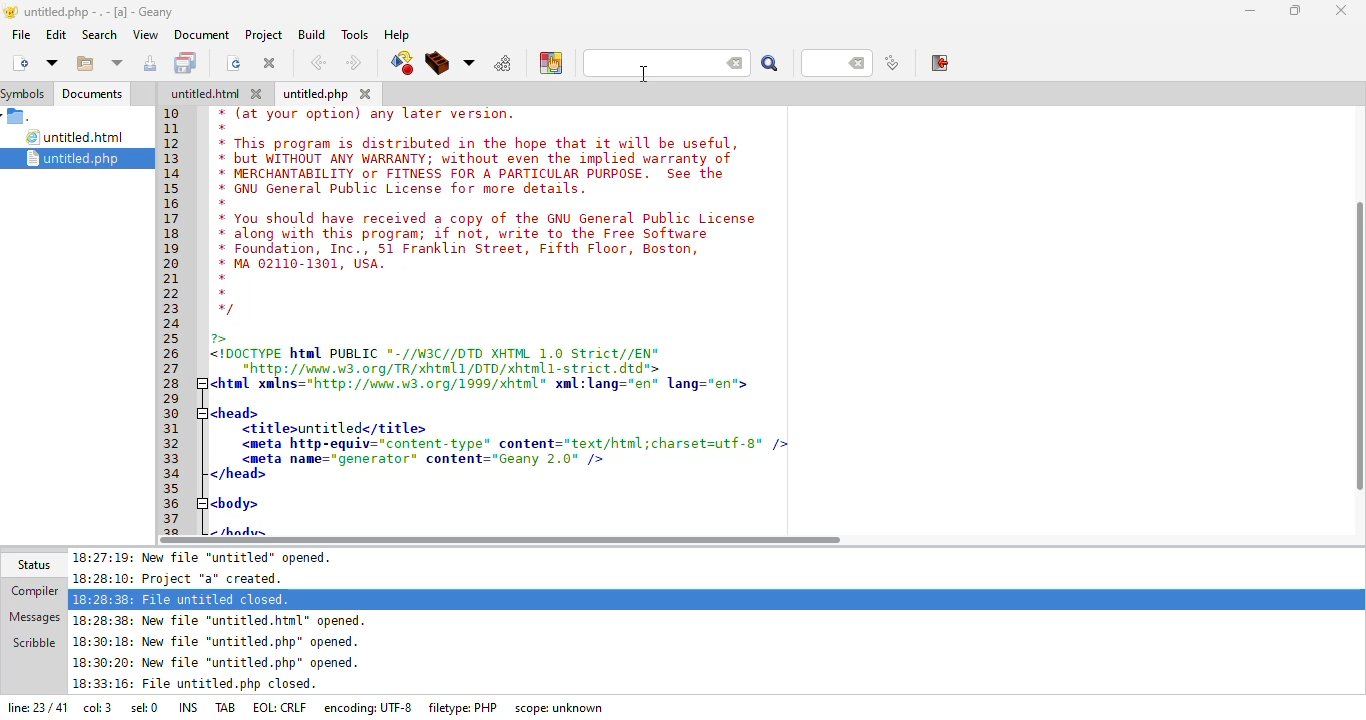  I want to click on </head>, so click(238, 475).